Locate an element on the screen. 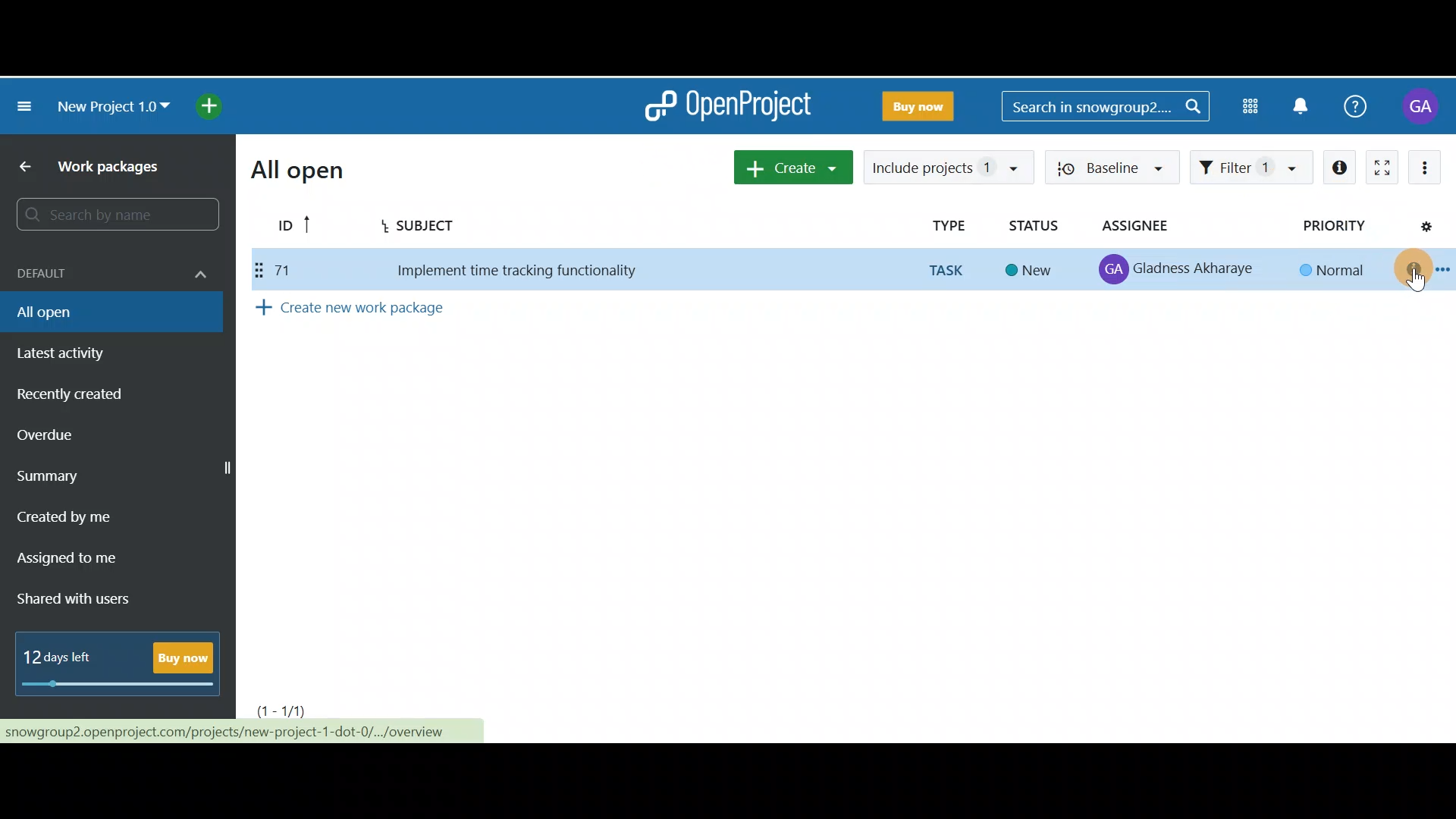  Activate zen mode is located at coordinates (1384, 168).